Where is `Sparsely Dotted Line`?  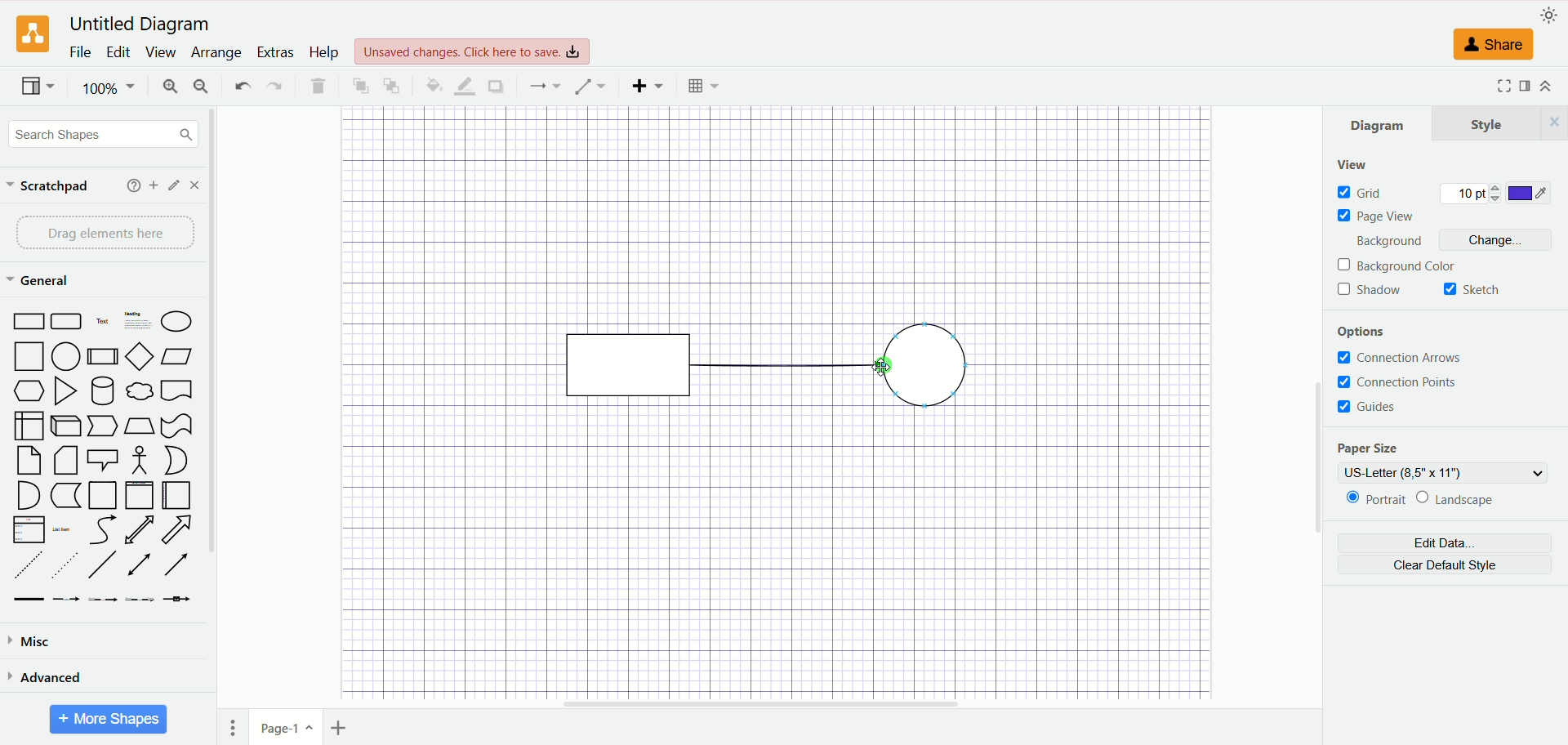
Sparsely Dotted Line is located at coordinates (65, 564).